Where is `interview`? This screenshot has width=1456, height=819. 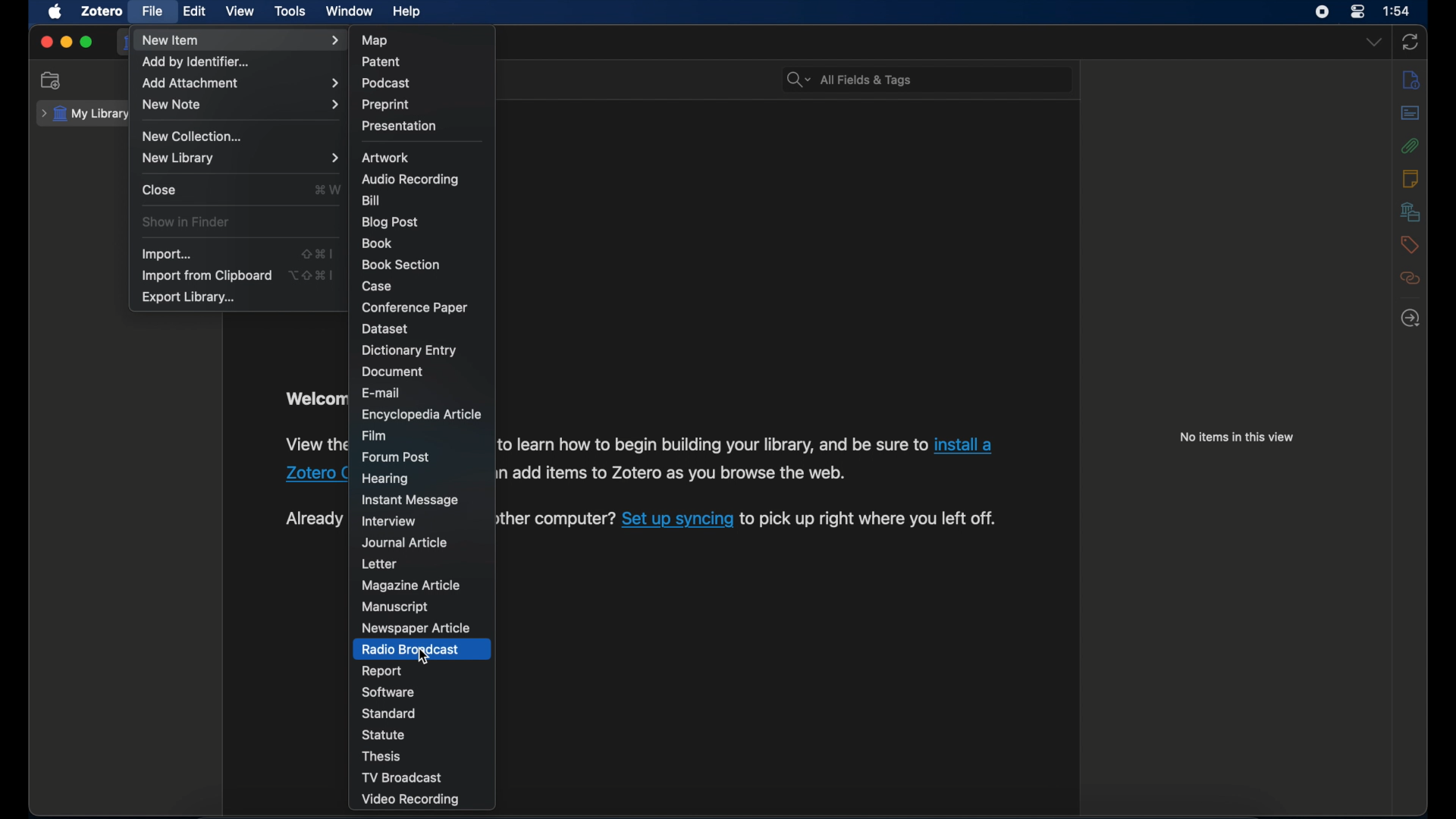 interview is located at coordinates (388, 522).